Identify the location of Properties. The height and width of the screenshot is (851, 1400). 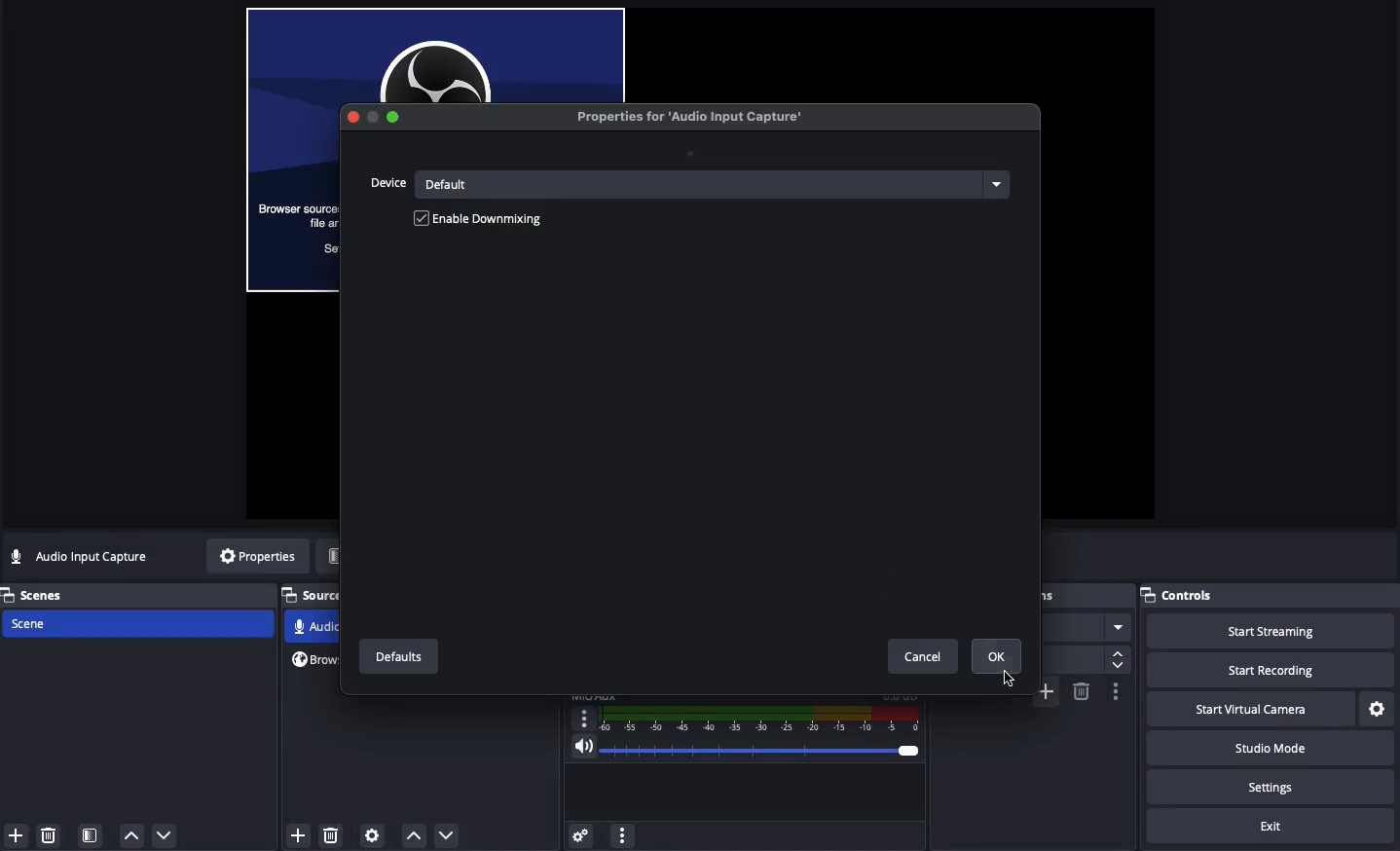
(257, 557).